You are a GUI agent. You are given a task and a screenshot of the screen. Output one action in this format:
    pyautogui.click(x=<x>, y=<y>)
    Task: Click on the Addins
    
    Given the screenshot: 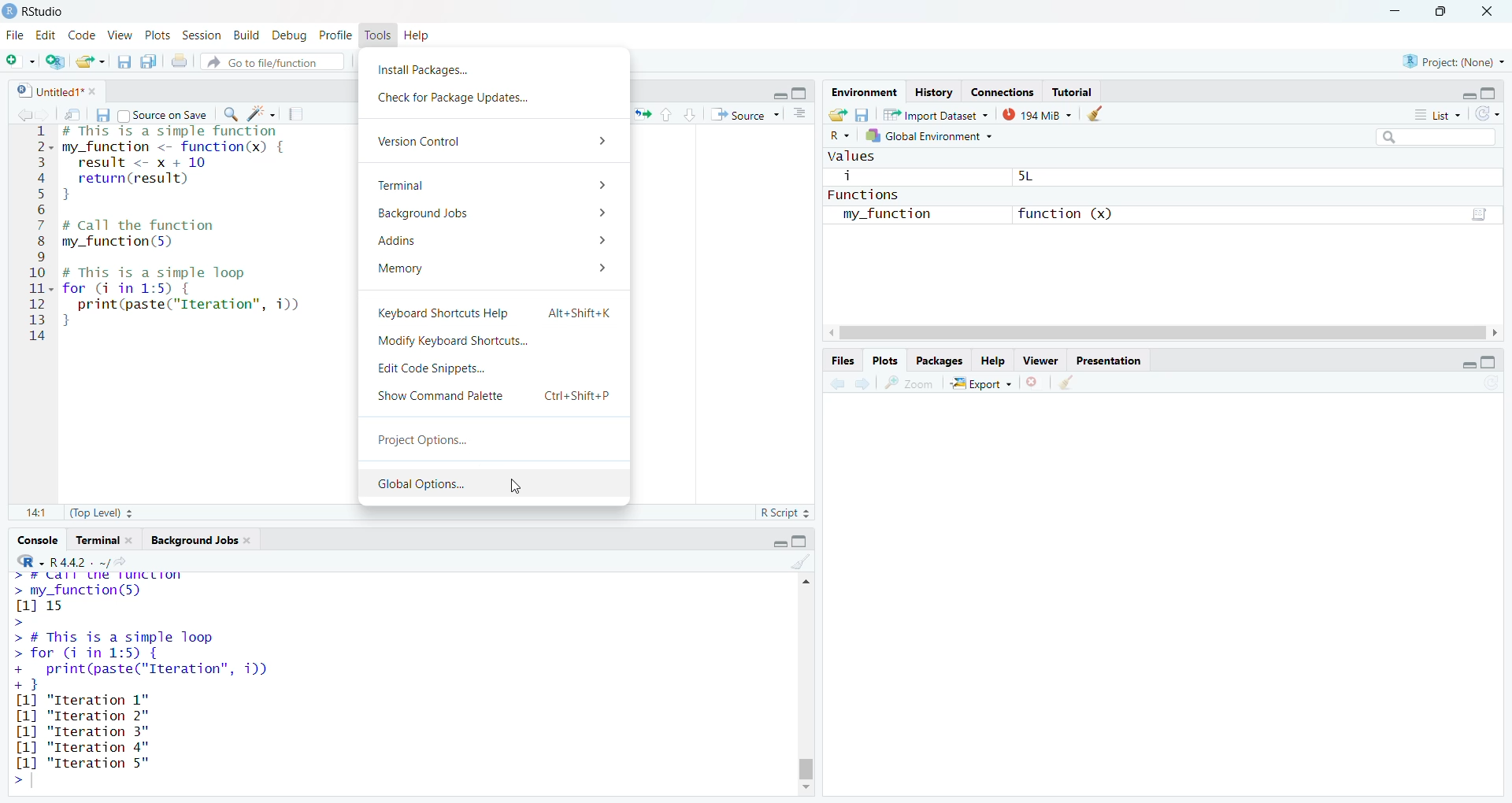 What is the action you would take?
    pyautogui.click(x=489, y=242)
    